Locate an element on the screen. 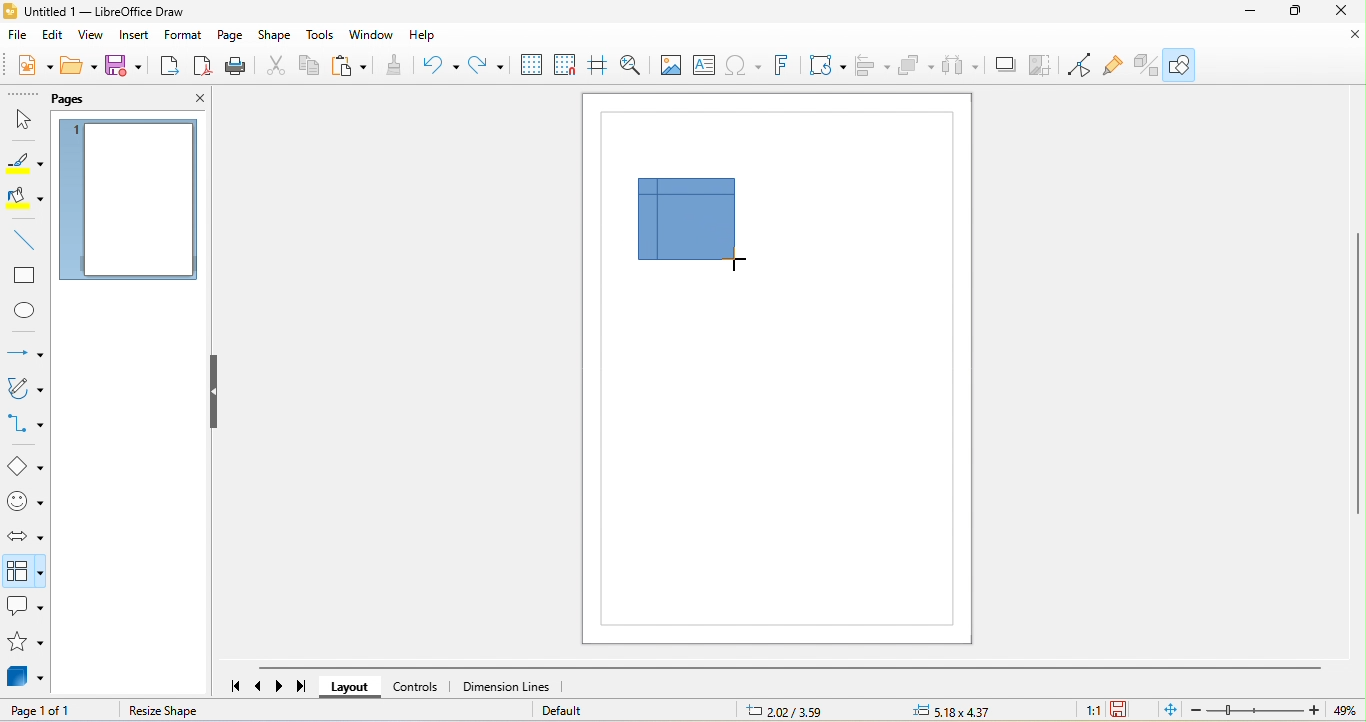 This screenshot has height=722, width=1366. vertical scroll bar is located at coordinates (1357, 373).